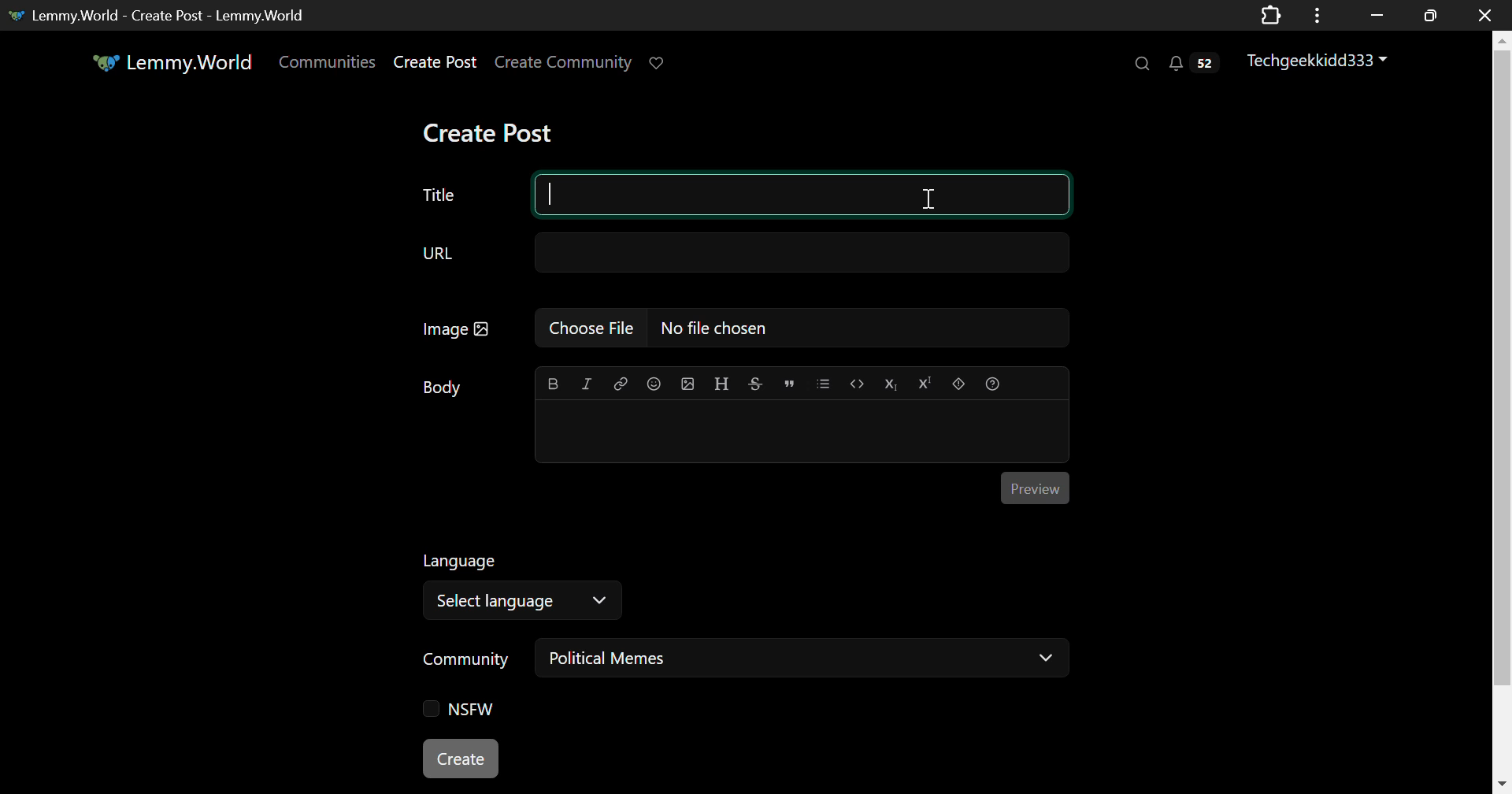 The height and width of the screenshot is (794, 1512). What do you see at coordinates (892, 384) in the screenshot?
I see `Subscript` at bounding box center [892, 384].